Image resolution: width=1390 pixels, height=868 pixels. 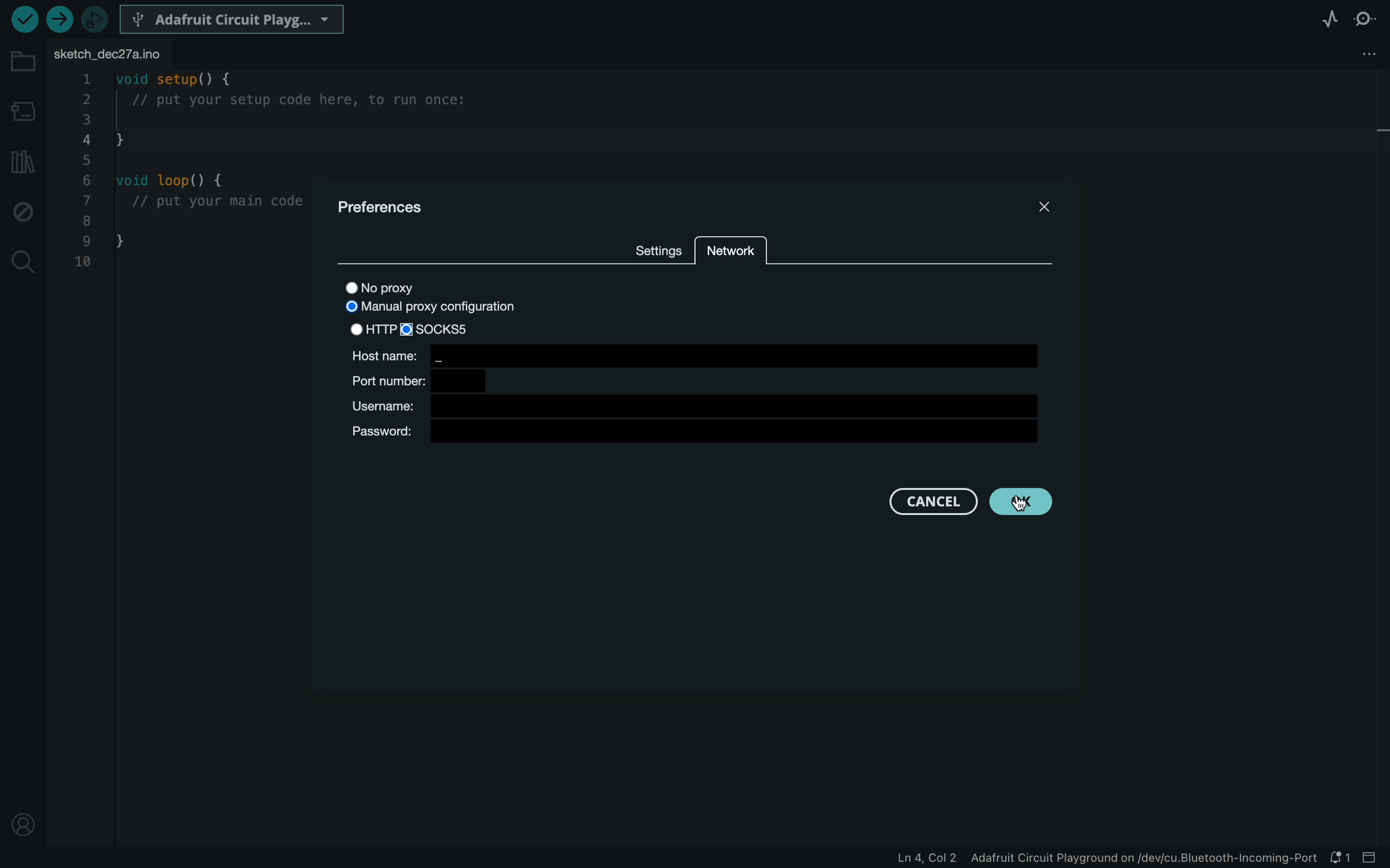 I want to click on HTTP, so click(x=372, y=330).